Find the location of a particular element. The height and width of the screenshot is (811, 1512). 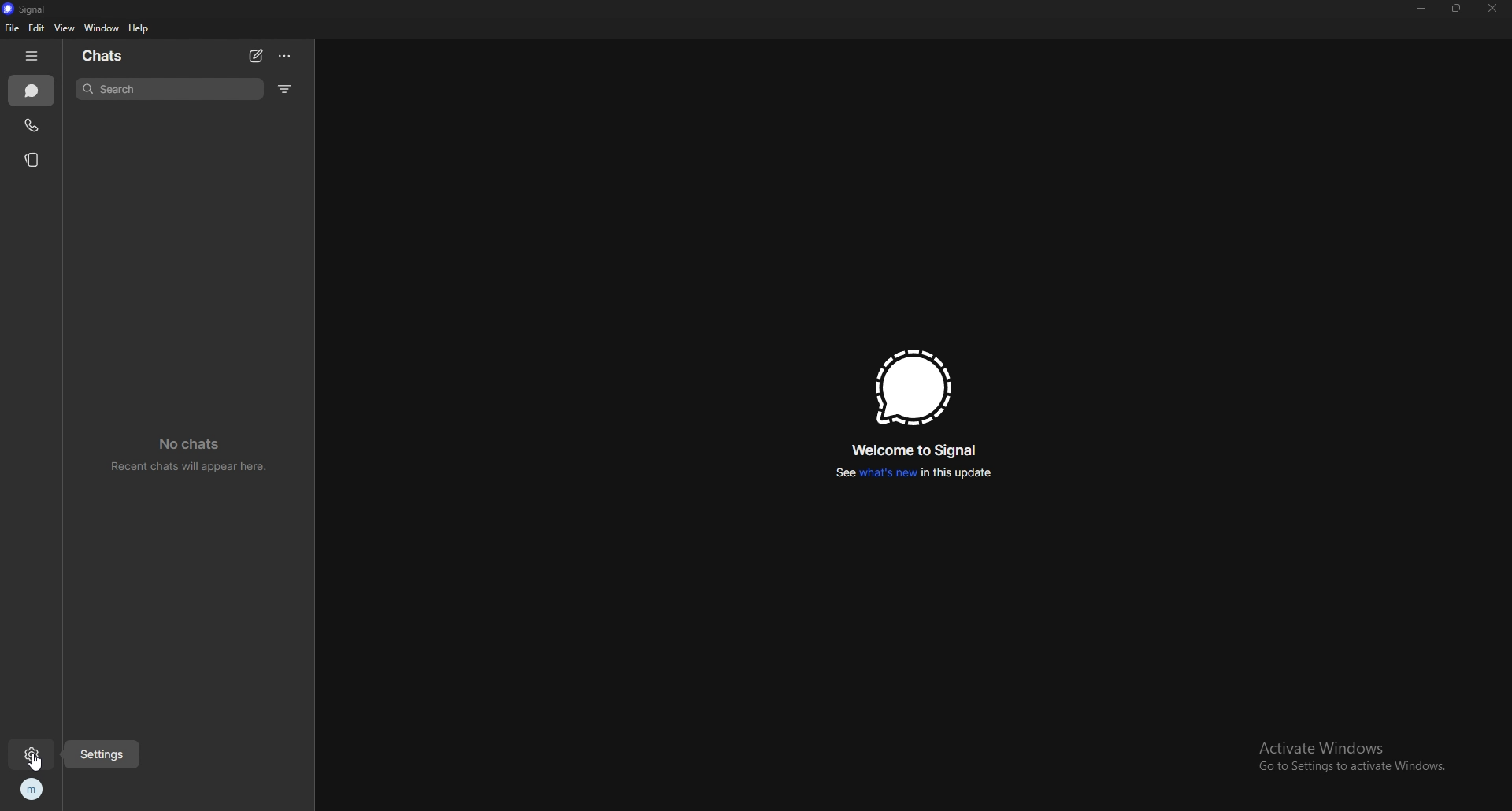

stories is located at coordinates (35, 160).